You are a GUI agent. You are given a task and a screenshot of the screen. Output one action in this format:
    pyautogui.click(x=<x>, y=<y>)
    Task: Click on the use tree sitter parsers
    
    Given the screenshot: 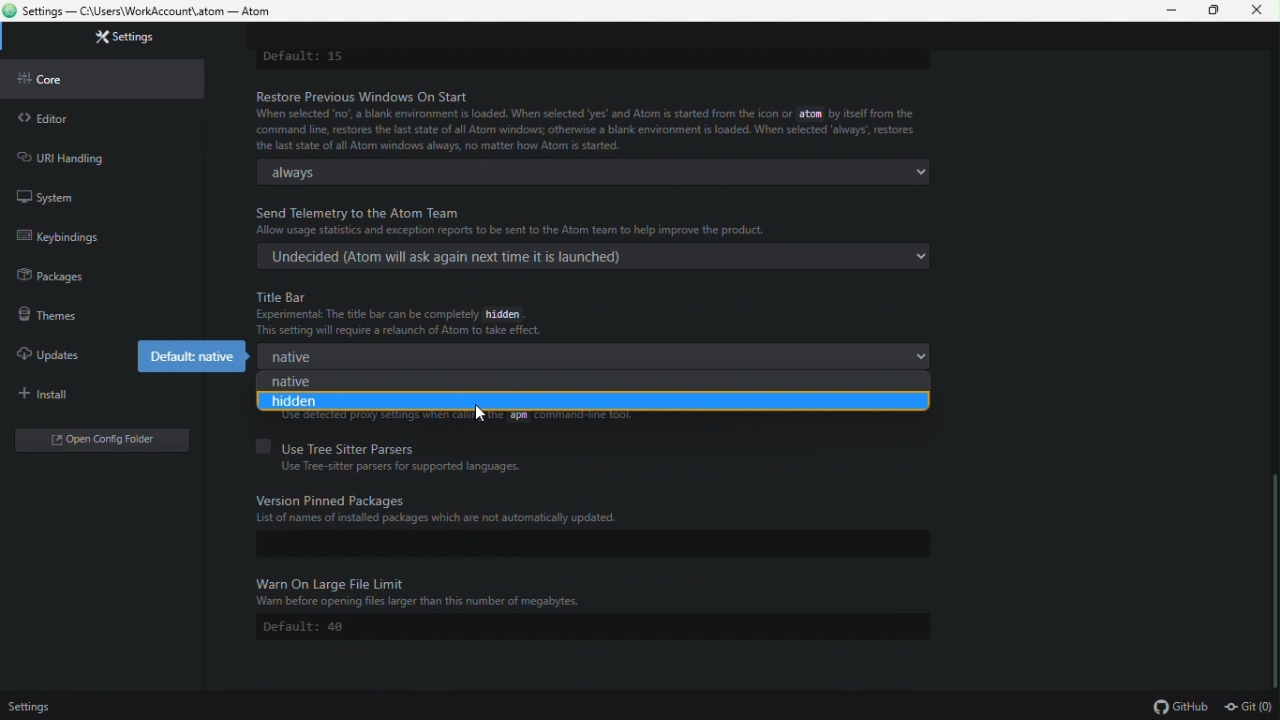 What is the action you would take?
    pyautogui.click(x=390, y=446)
    